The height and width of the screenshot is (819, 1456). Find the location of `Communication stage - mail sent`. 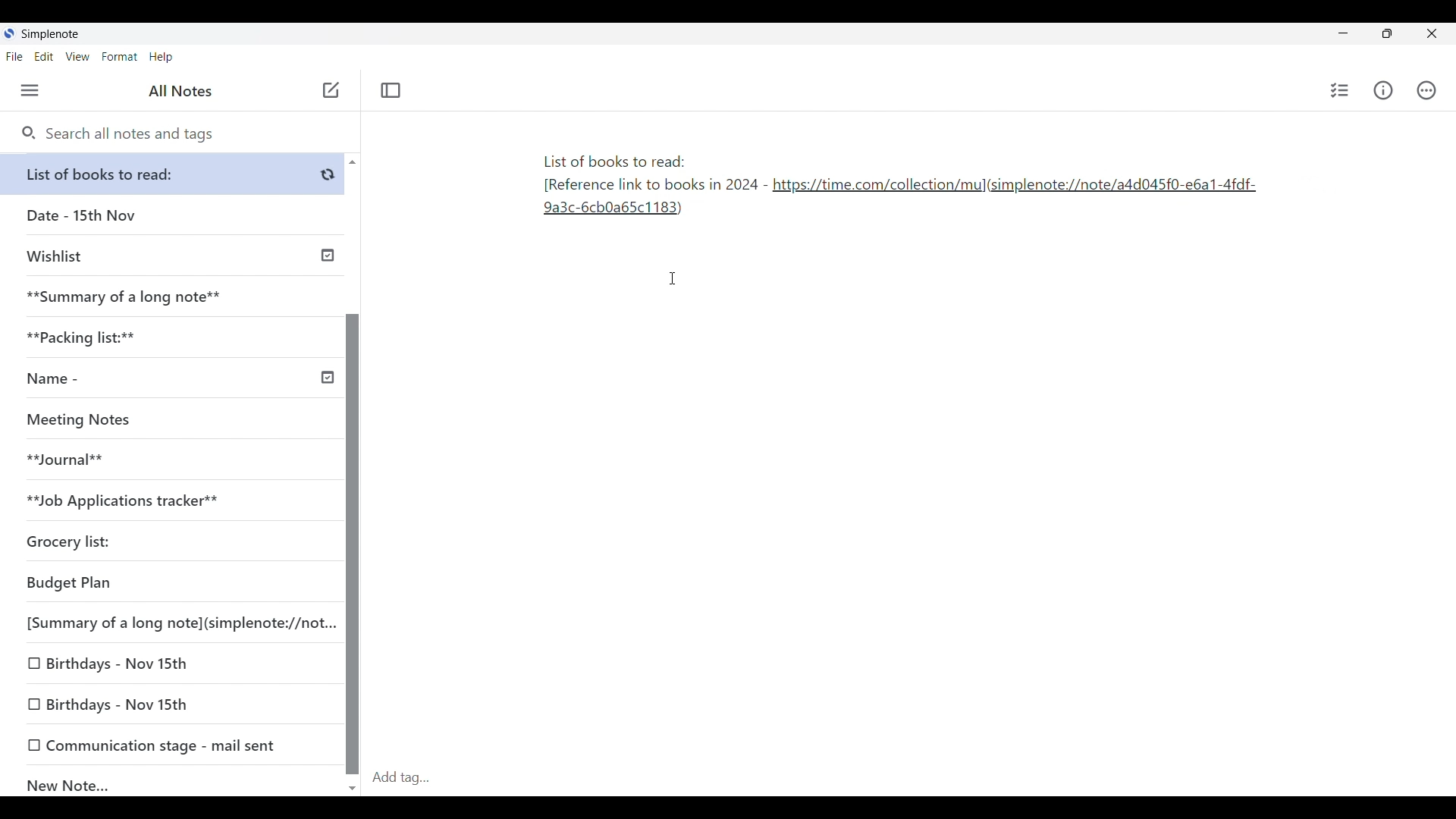

Communication stage - mail sent is located at coordinates (173, 745).